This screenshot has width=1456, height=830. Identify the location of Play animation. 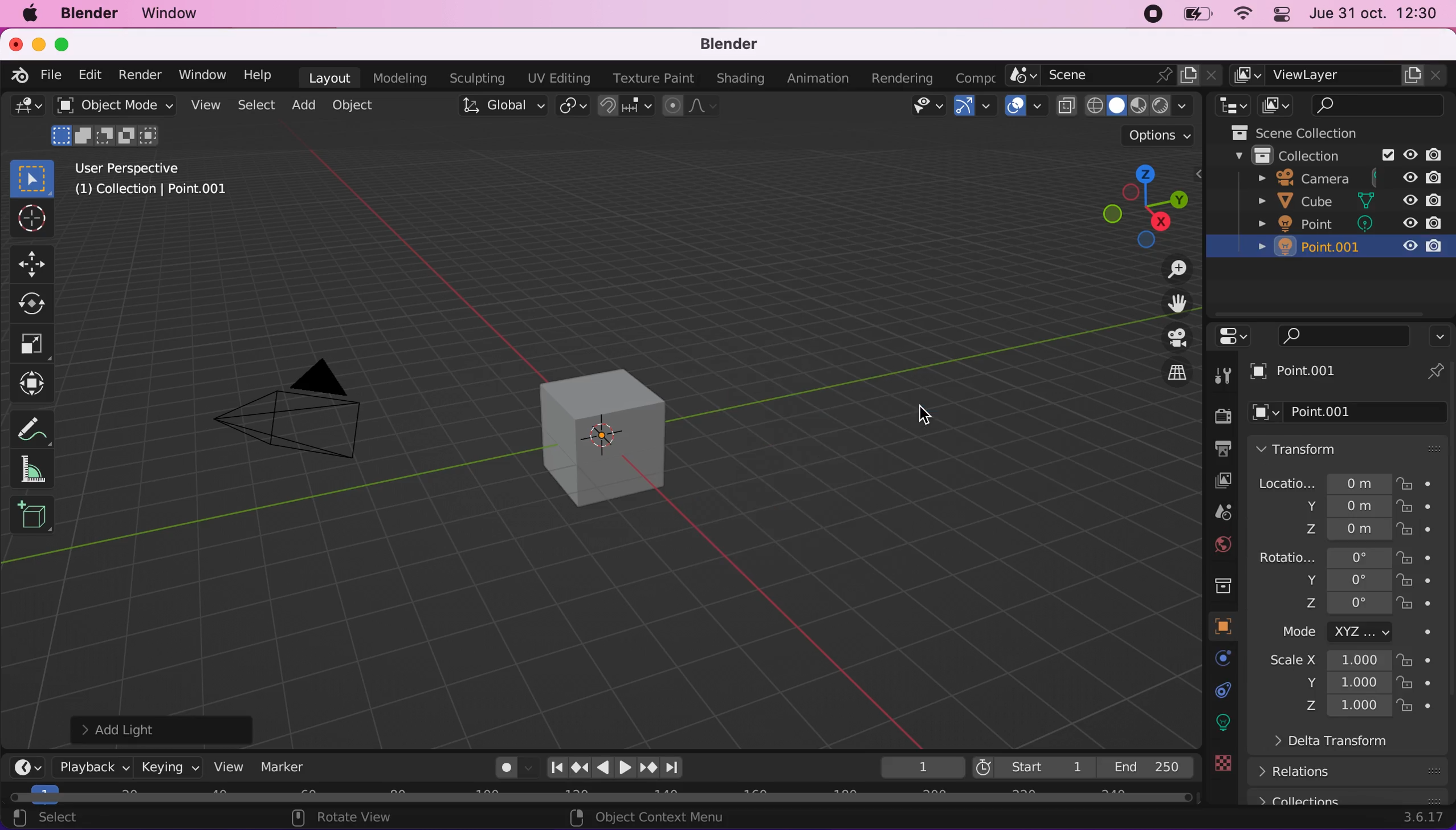
(601, 770).